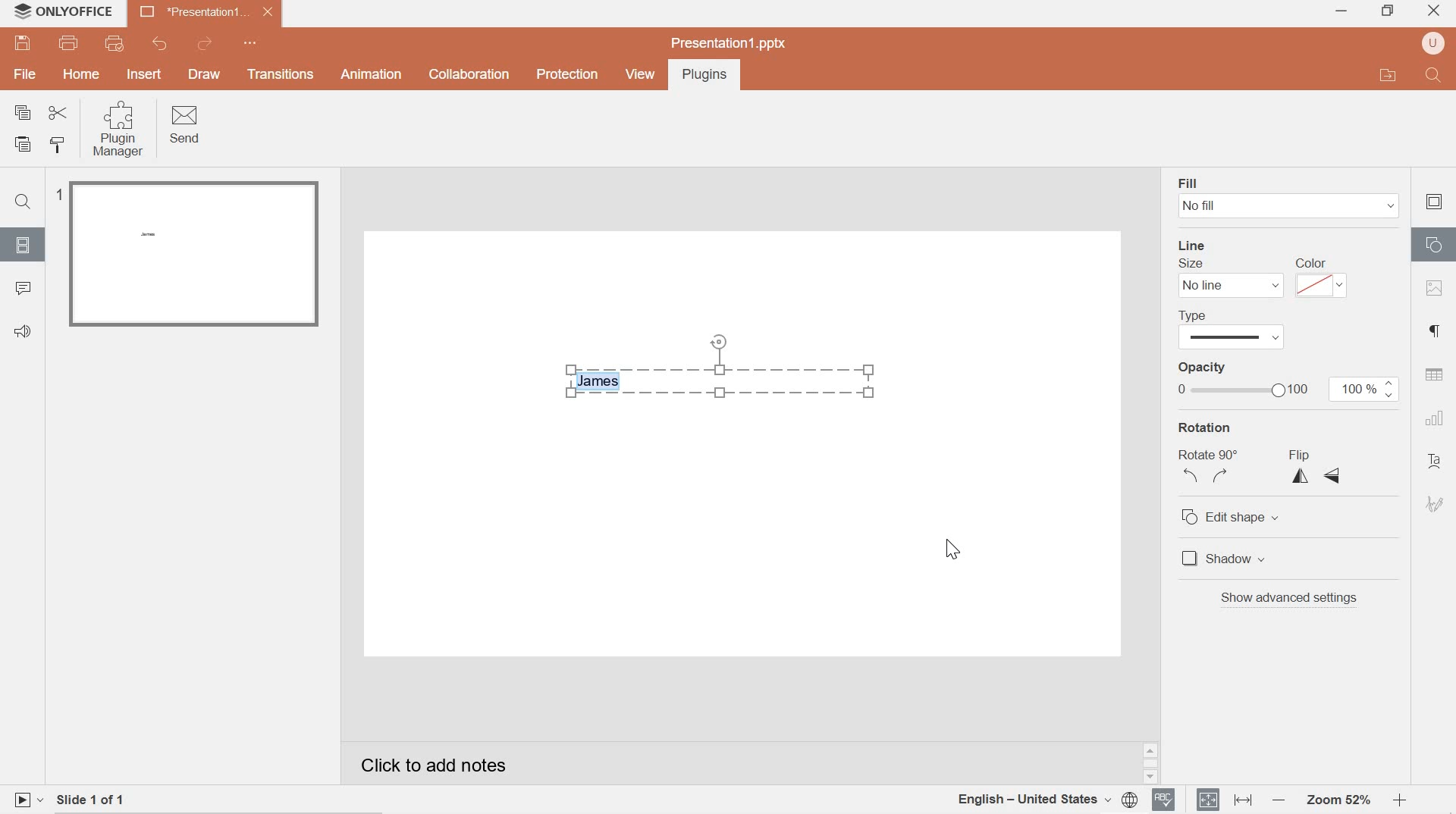 Image resolution: width=1456 pixels, height=814 pixels. Describe the element at coordinates (1438, 463) in the screenshot. I see `text art settings` at that location.